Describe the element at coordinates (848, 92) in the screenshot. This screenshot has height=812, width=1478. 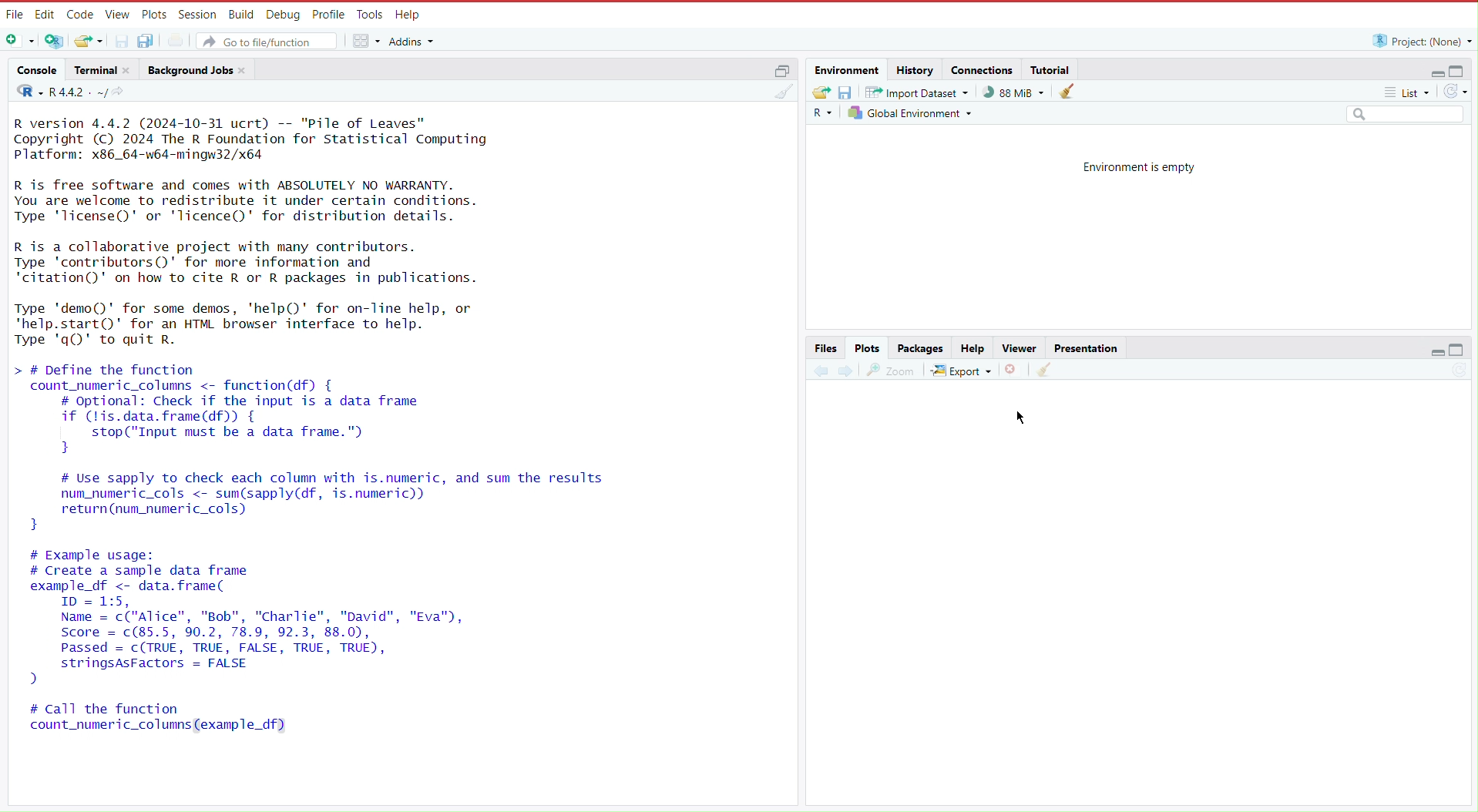
I see `Save workspace as` at that location.